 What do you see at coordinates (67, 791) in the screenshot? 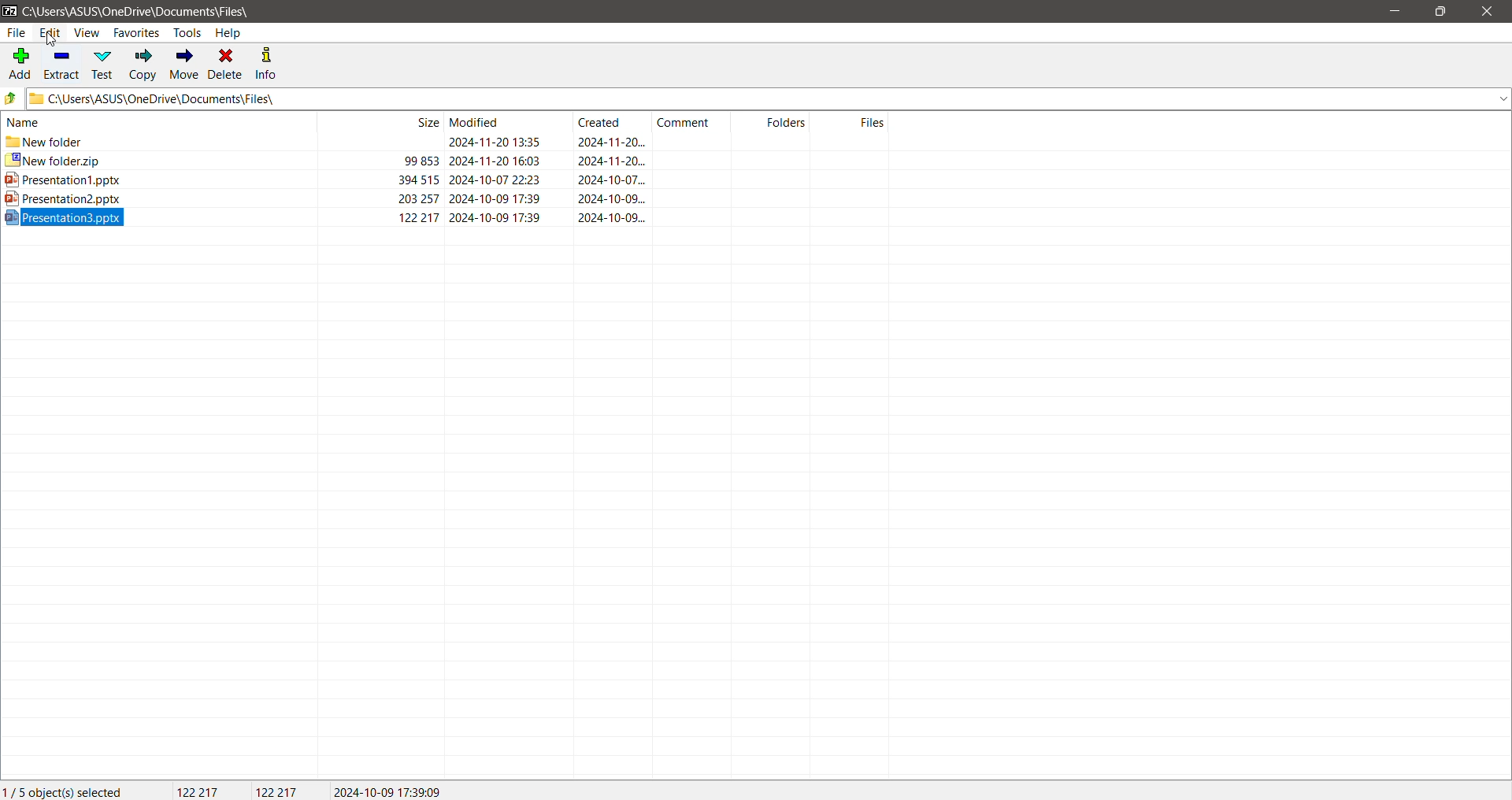
I see `Current Selection` at bounding box center [67, 791].